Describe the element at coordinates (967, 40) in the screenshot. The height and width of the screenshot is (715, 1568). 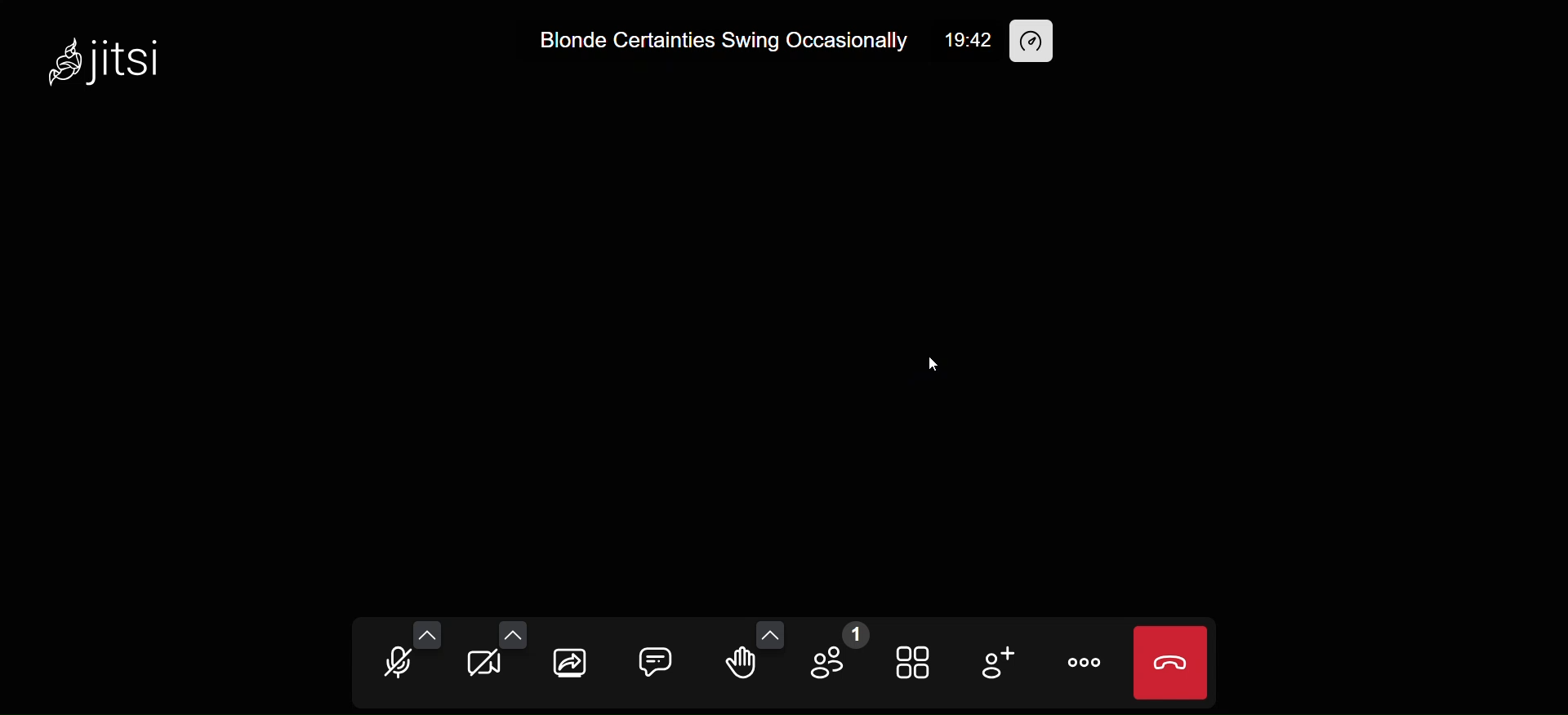
I see `19:42` at that location.